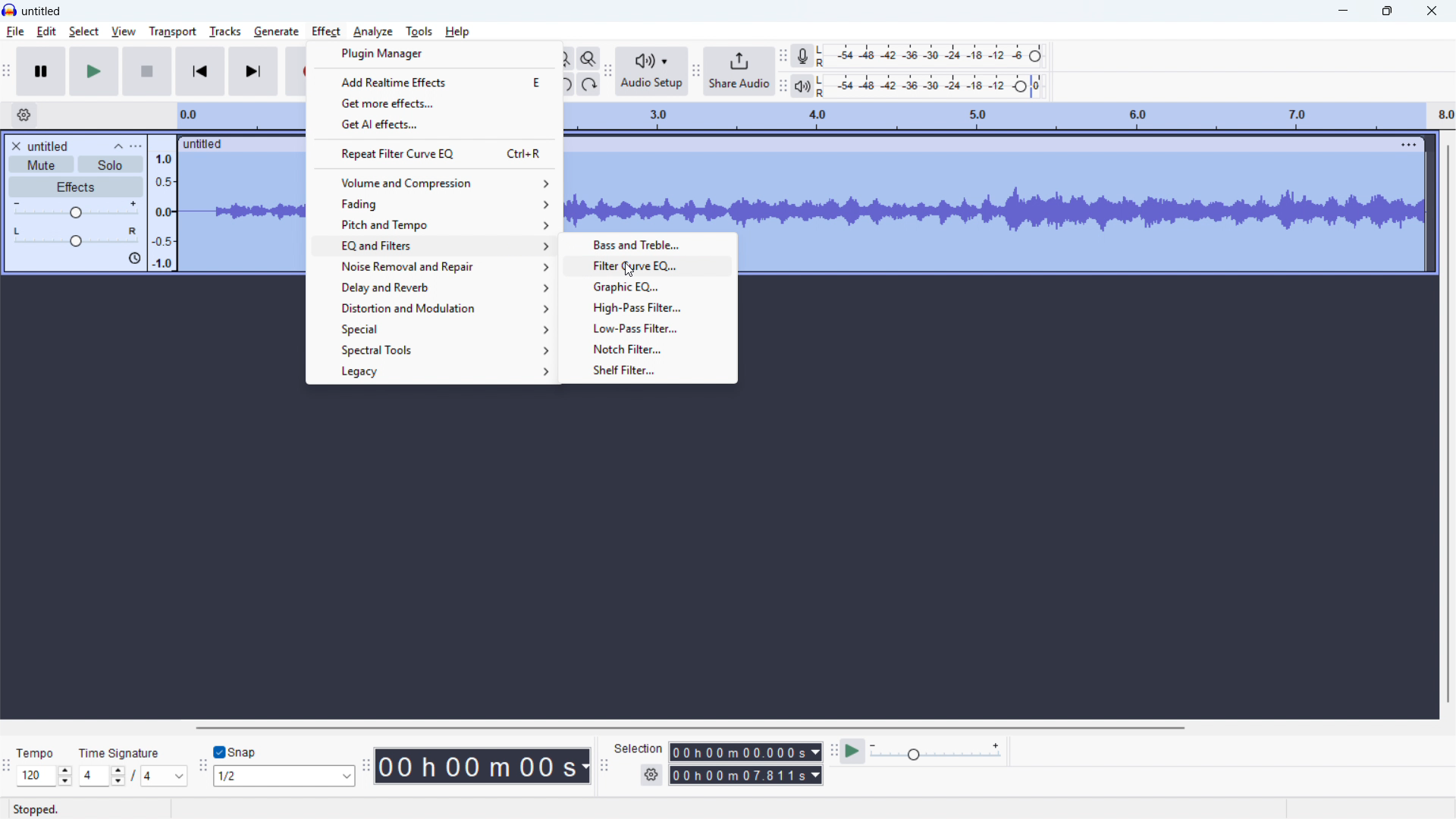 The image size is (1456, 819). Describe the element at coordinates (236, 752) in the screenshot. I see `Toggle snap ` at that location.